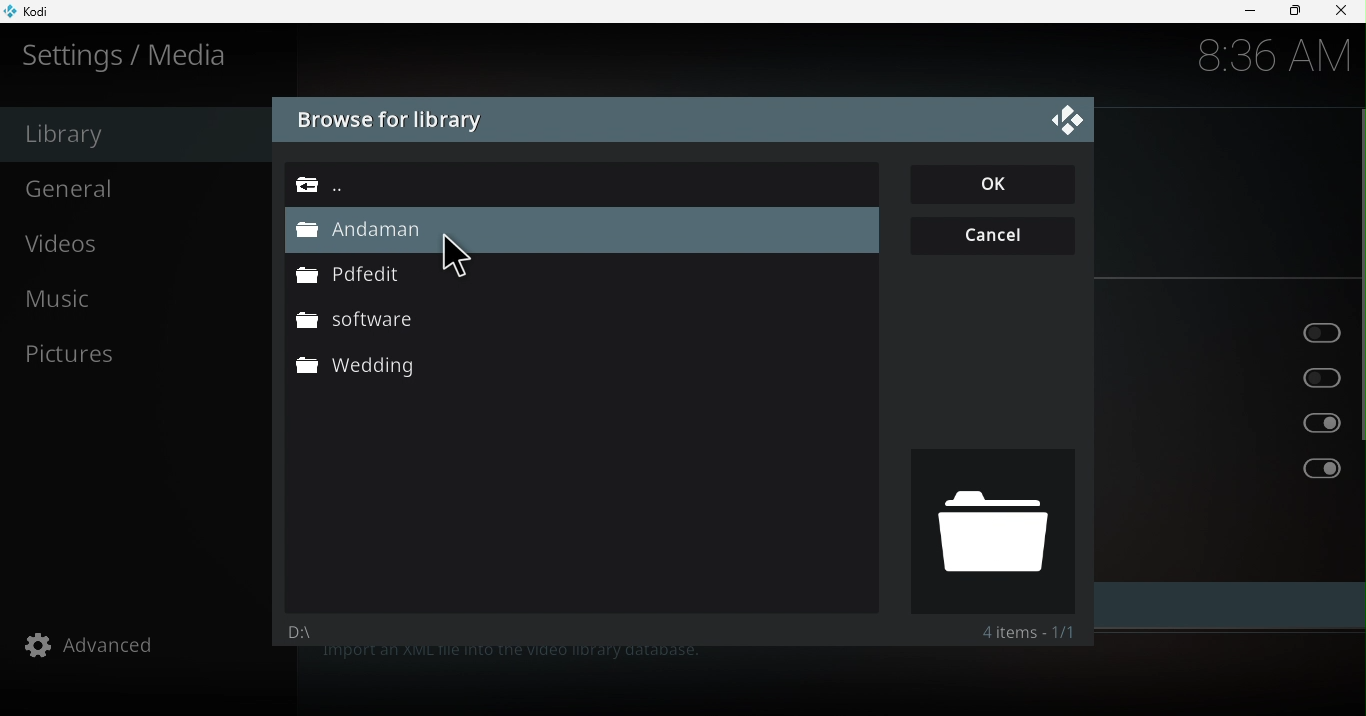 The image size is (1366, 716). I want to click on General, so click(143, 187).